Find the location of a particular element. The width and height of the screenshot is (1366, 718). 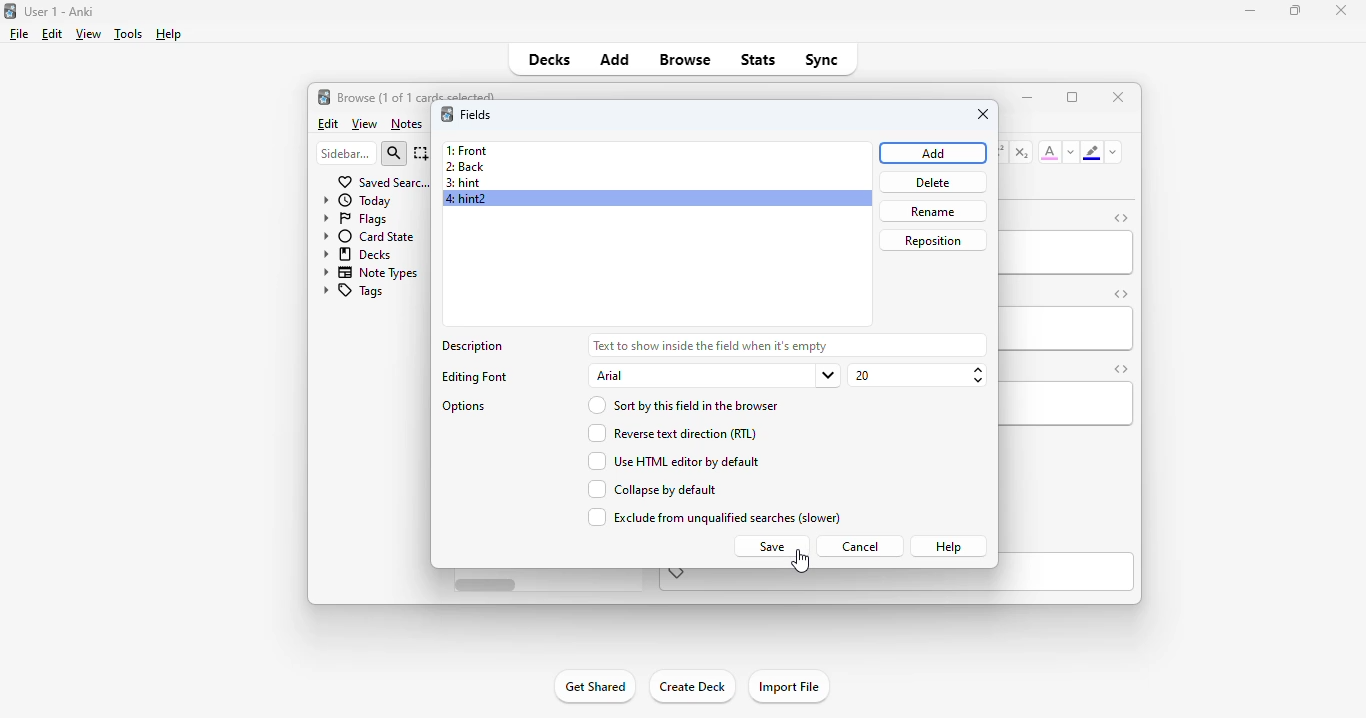

maximize is located at coordinates (1072, 97).